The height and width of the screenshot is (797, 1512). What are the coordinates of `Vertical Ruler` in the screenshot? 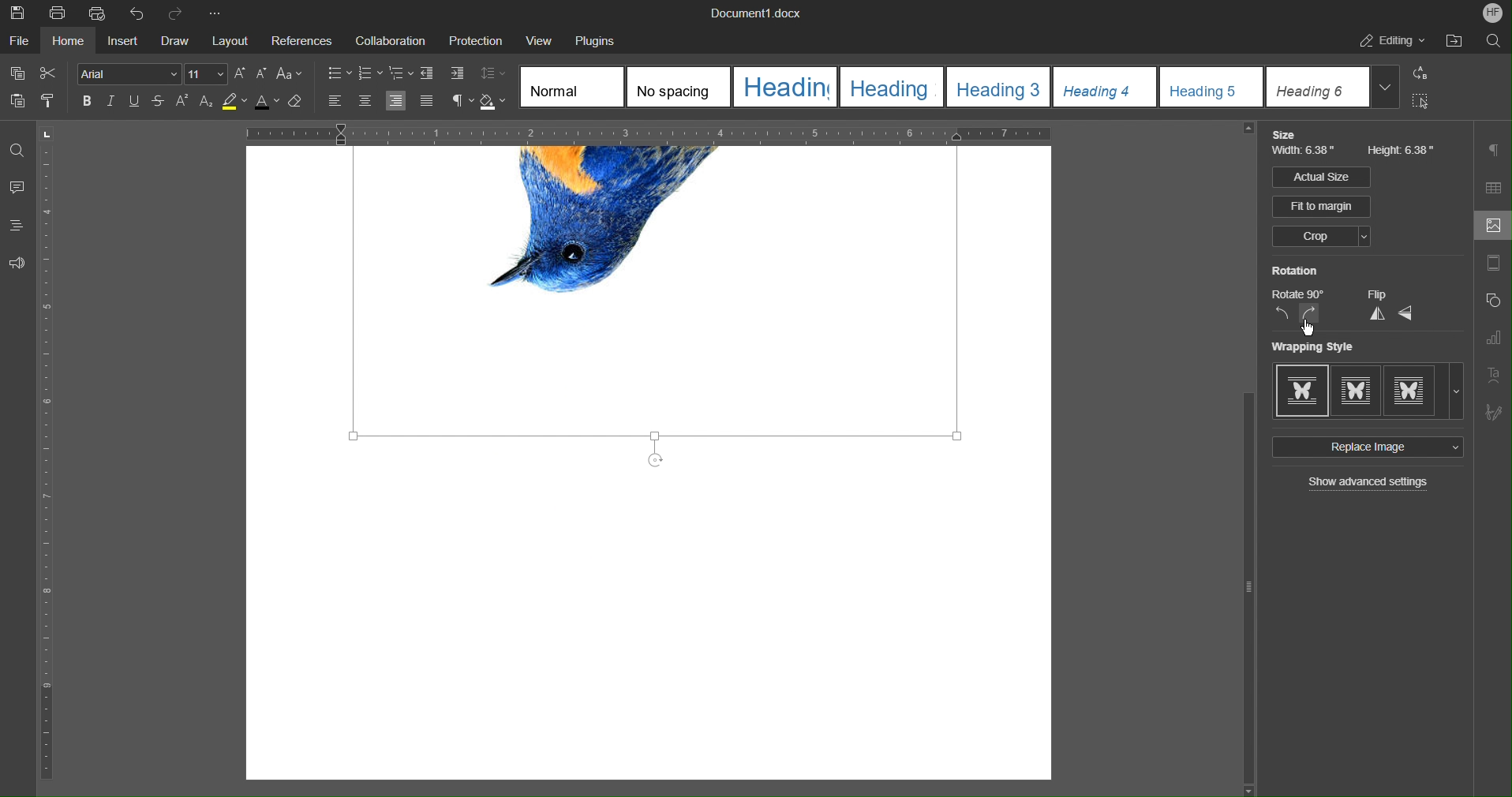 It's located at (51, 458).